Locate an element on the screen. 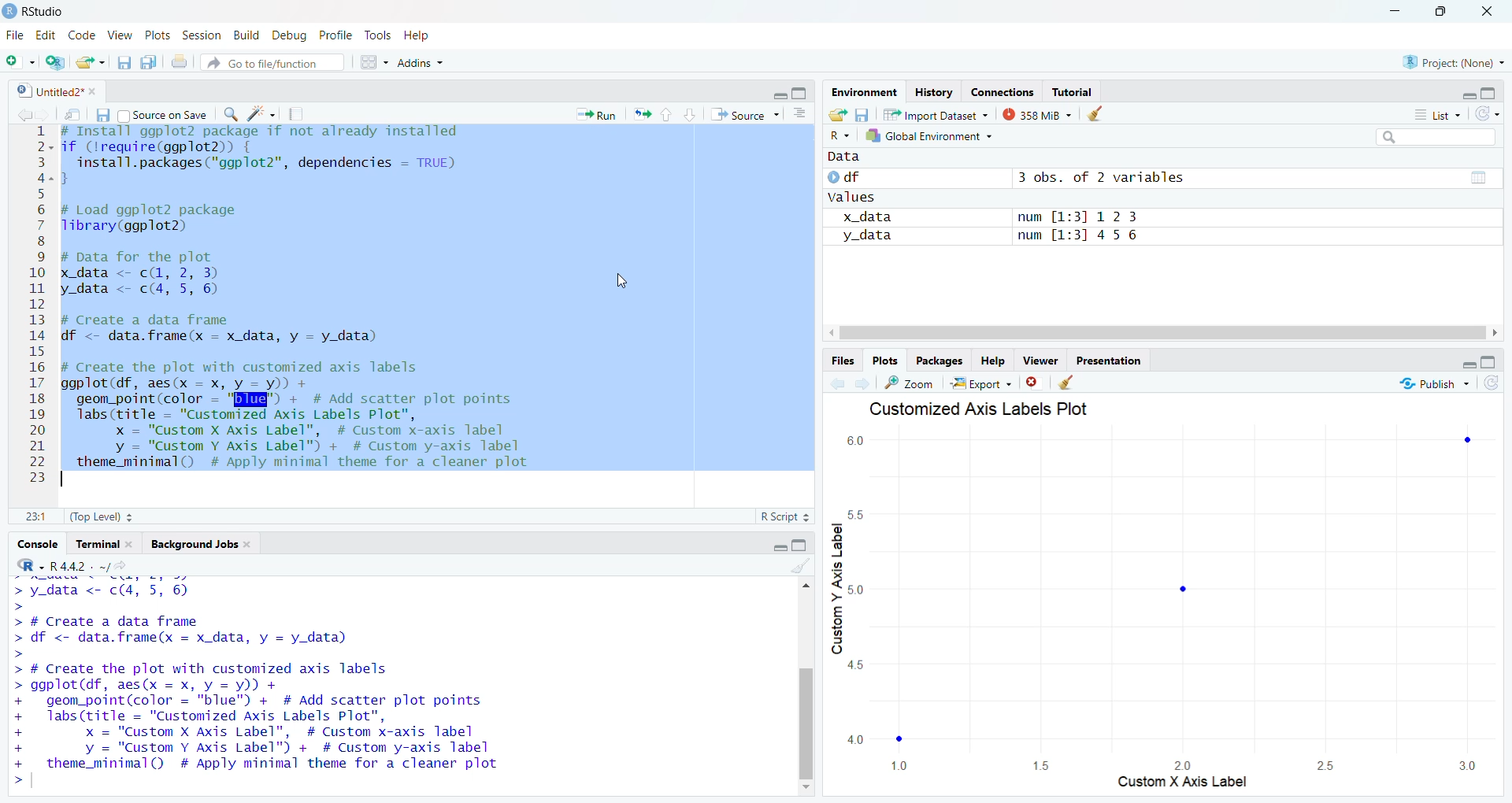 The height and width of the screenshot is (803, 1512). back is located at coordinates (25, 115).